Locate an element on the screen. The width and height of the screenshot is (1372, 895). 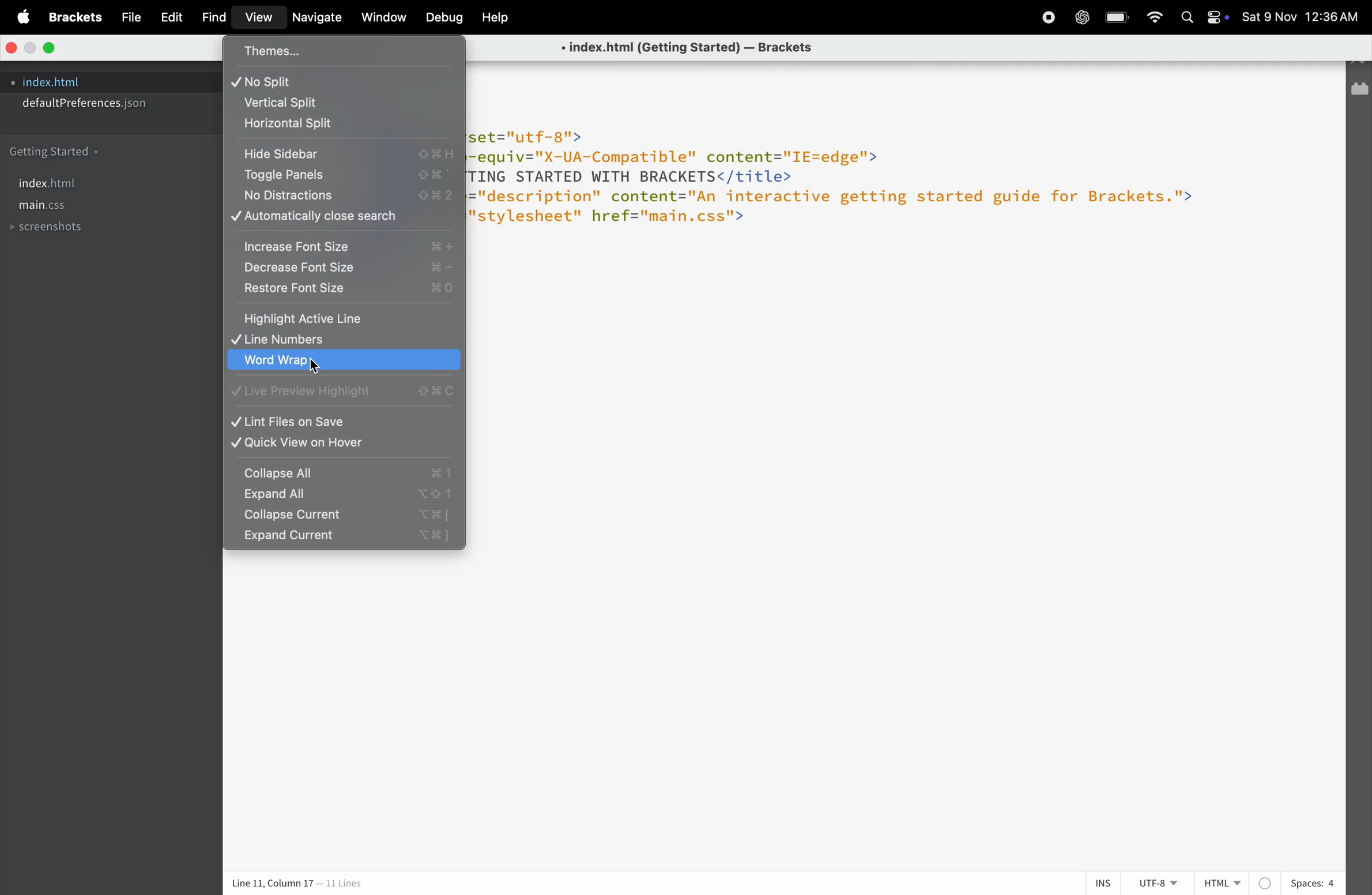
quick view on hover is located at coordinates (345, 444).